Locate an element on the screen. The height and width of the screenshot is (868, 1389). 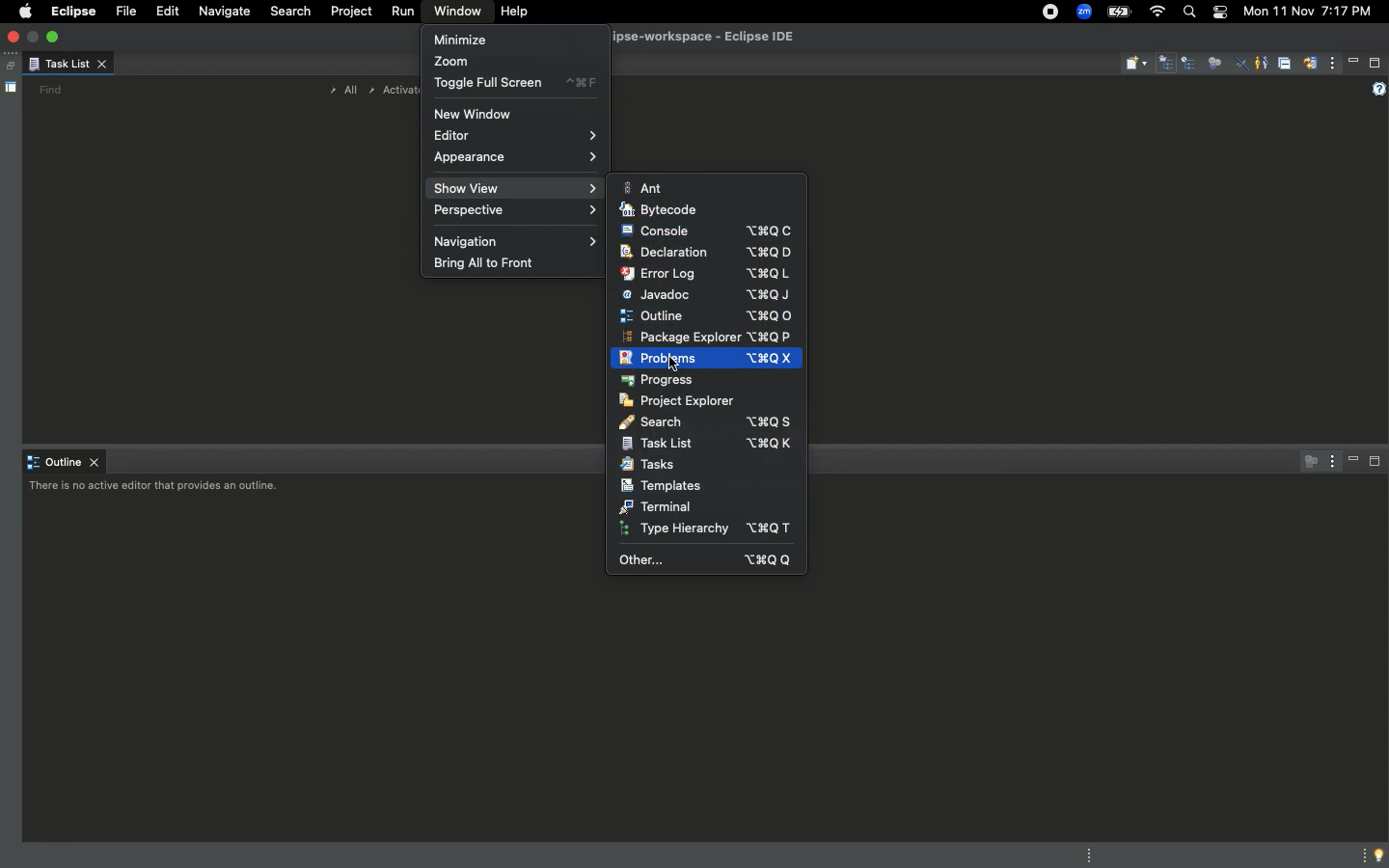
Editor is located at coordinates (511, 136).